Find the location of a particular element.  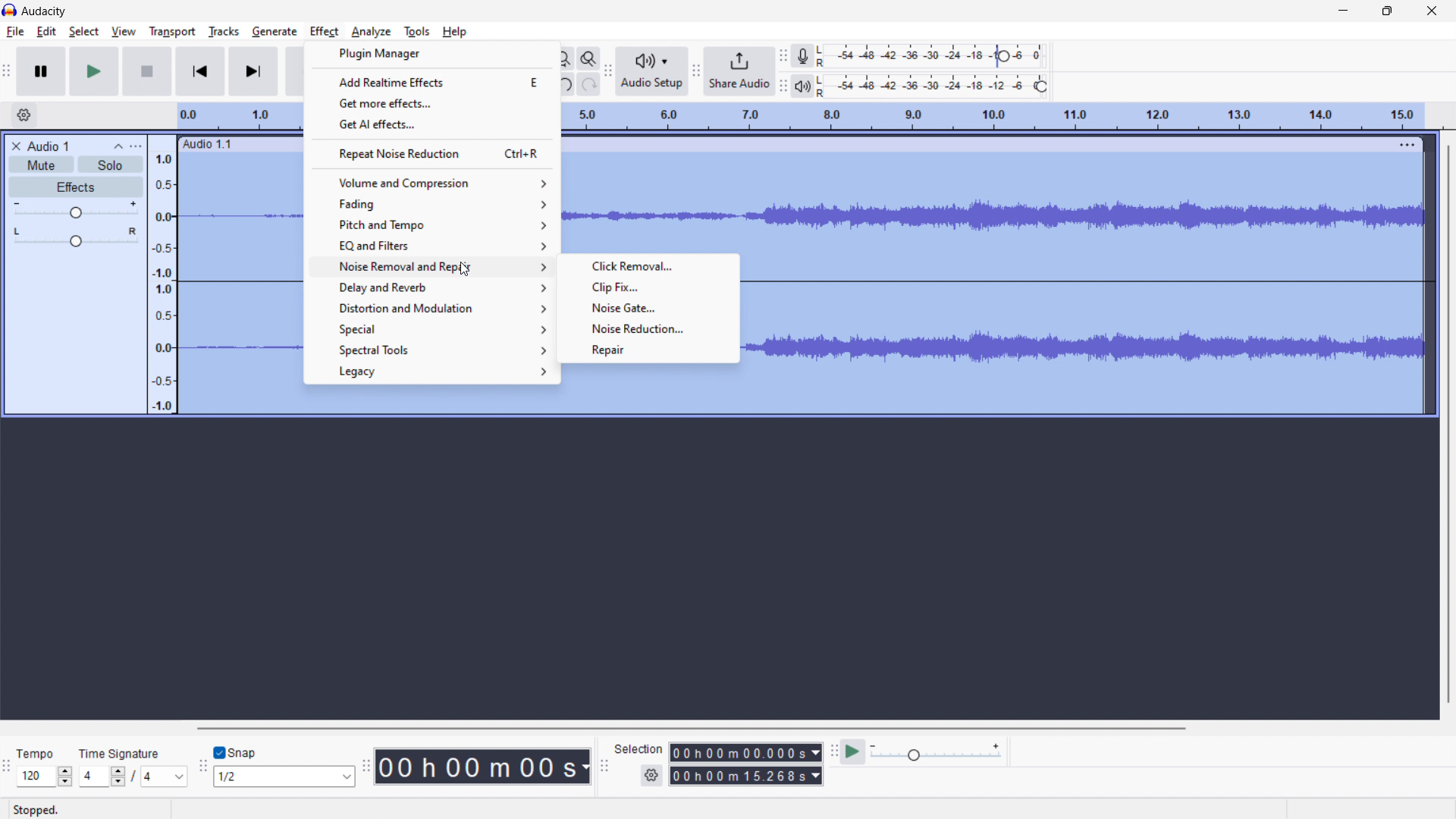

time signature toolbar is located at coordinates (8, 766).